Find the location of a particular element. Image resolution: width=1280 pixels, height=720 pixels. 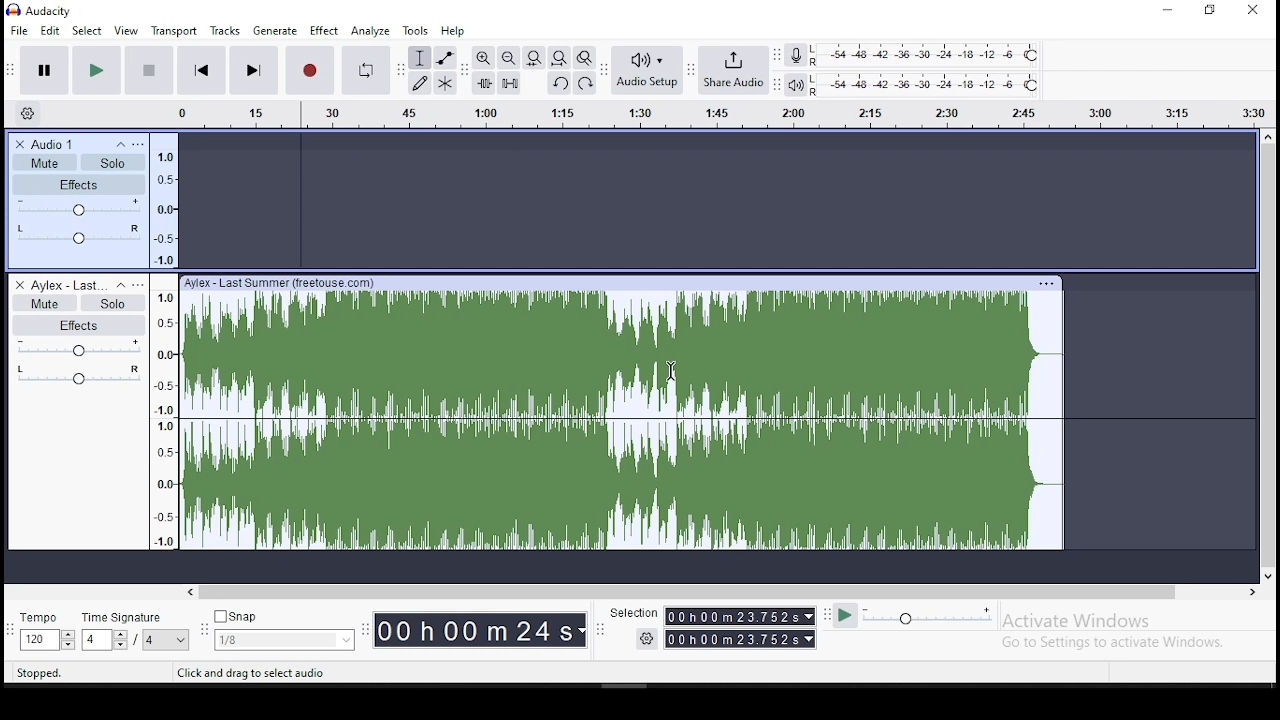

recording level is located at coordinates (928, 56).